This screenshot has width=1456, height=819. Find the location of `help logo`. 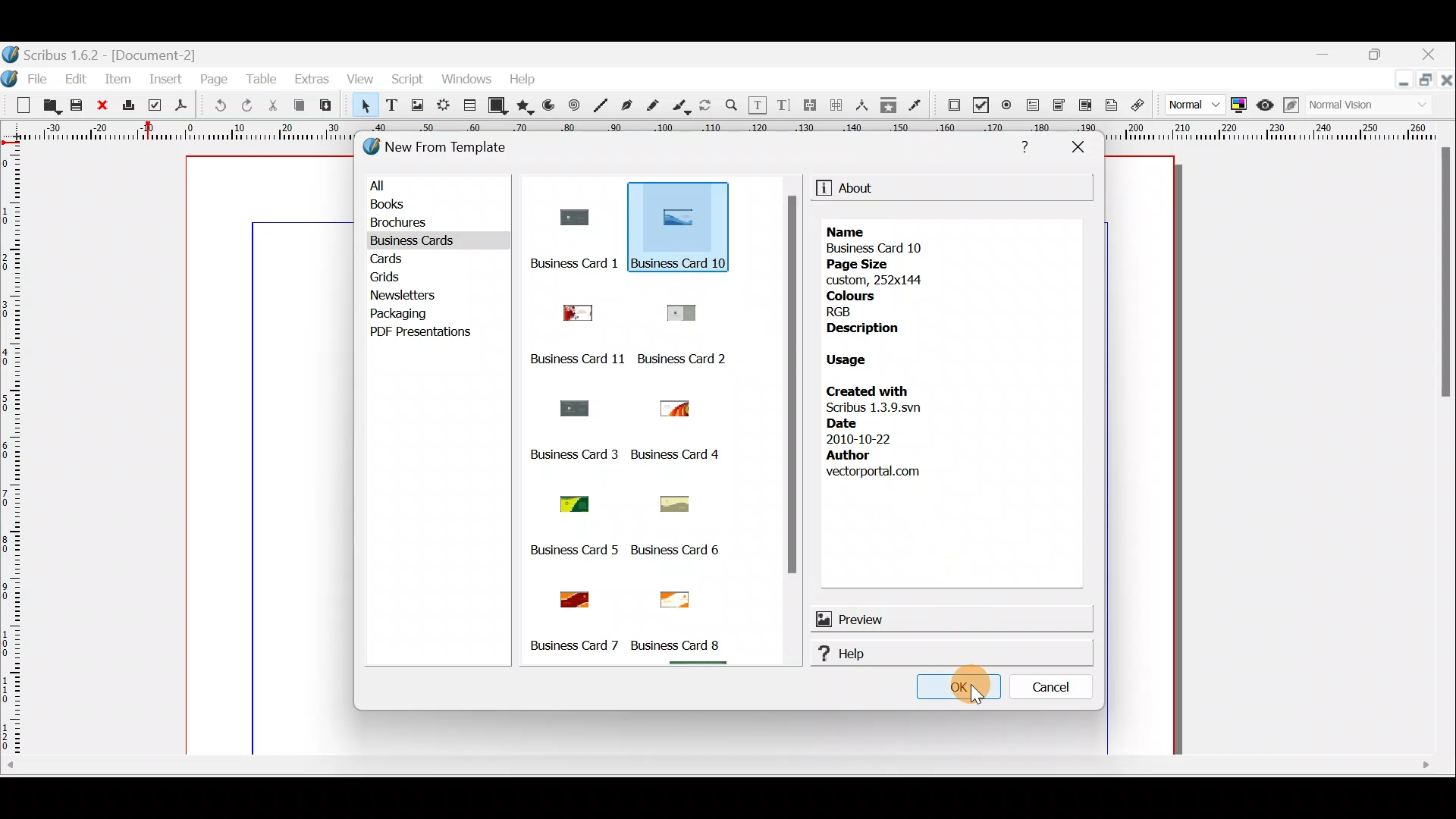

help logo is located at coordinates (819, 654).